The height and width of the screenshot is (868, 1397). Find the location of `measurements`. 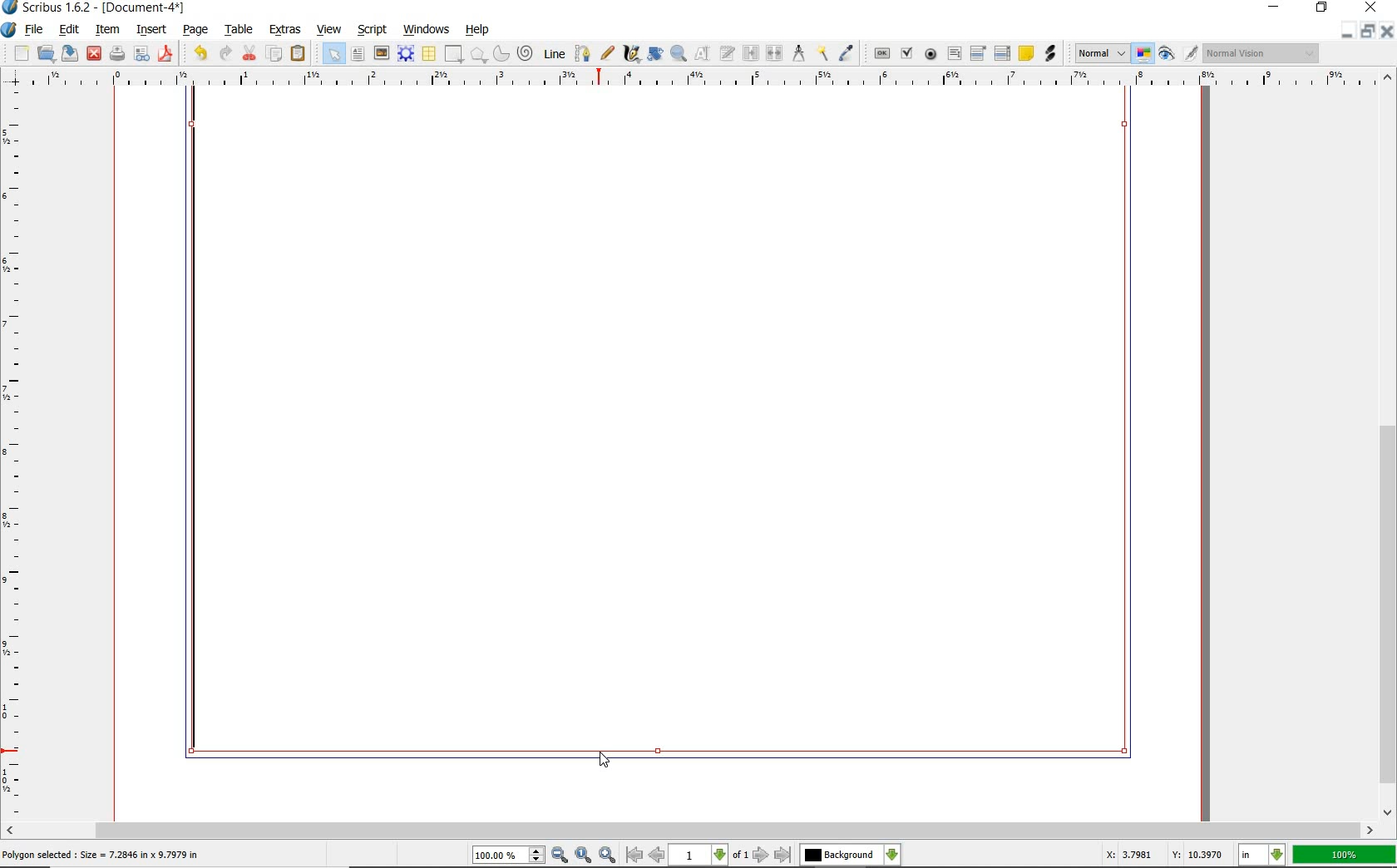

measurements is located at coordinates (798, 54).